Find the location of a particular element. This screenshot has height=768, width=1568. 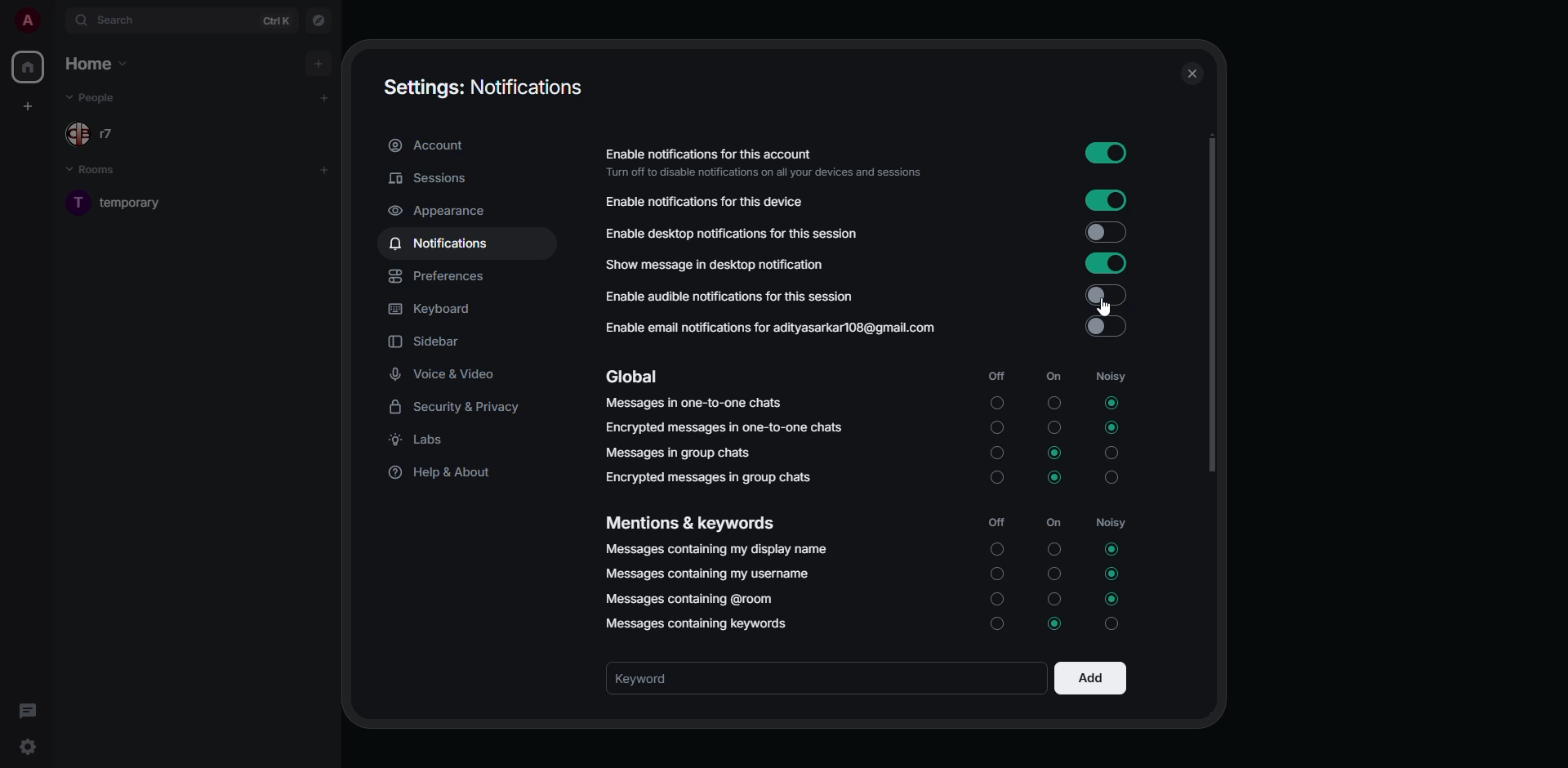

navigator is located at coordinates (316, 21).